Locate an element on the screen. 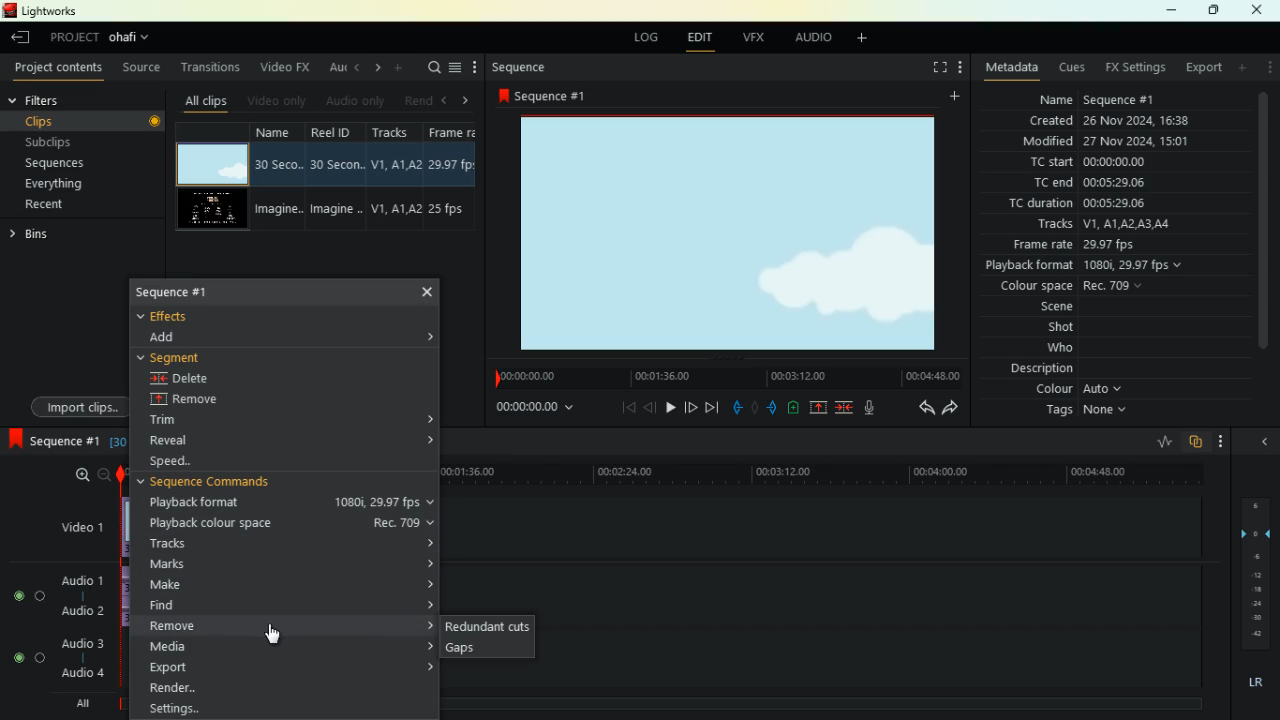 This screenshot has height=720, width=1280. name is located at coordinates (279, 177).